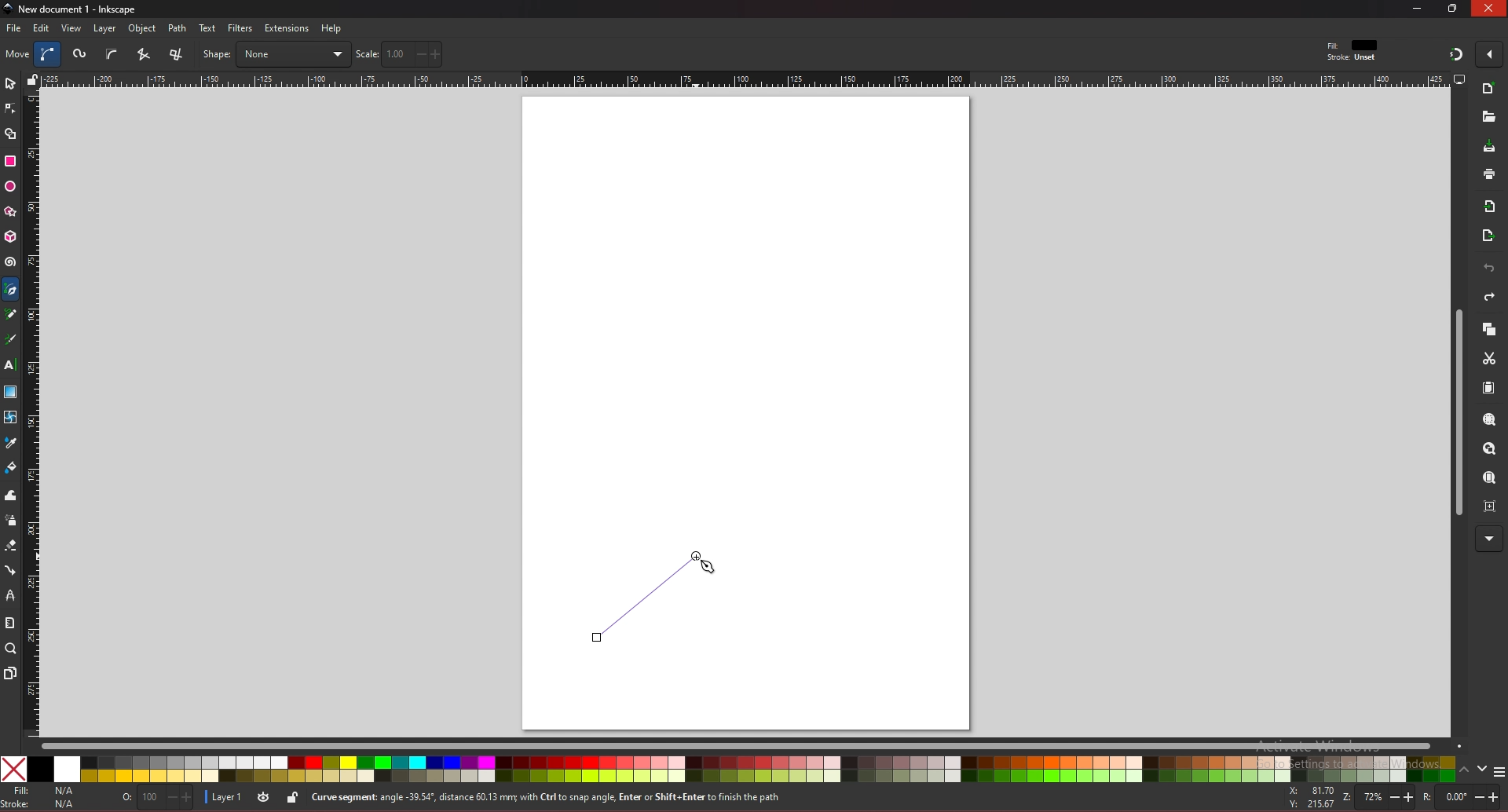  I want to click on export, so click(1488, 236).